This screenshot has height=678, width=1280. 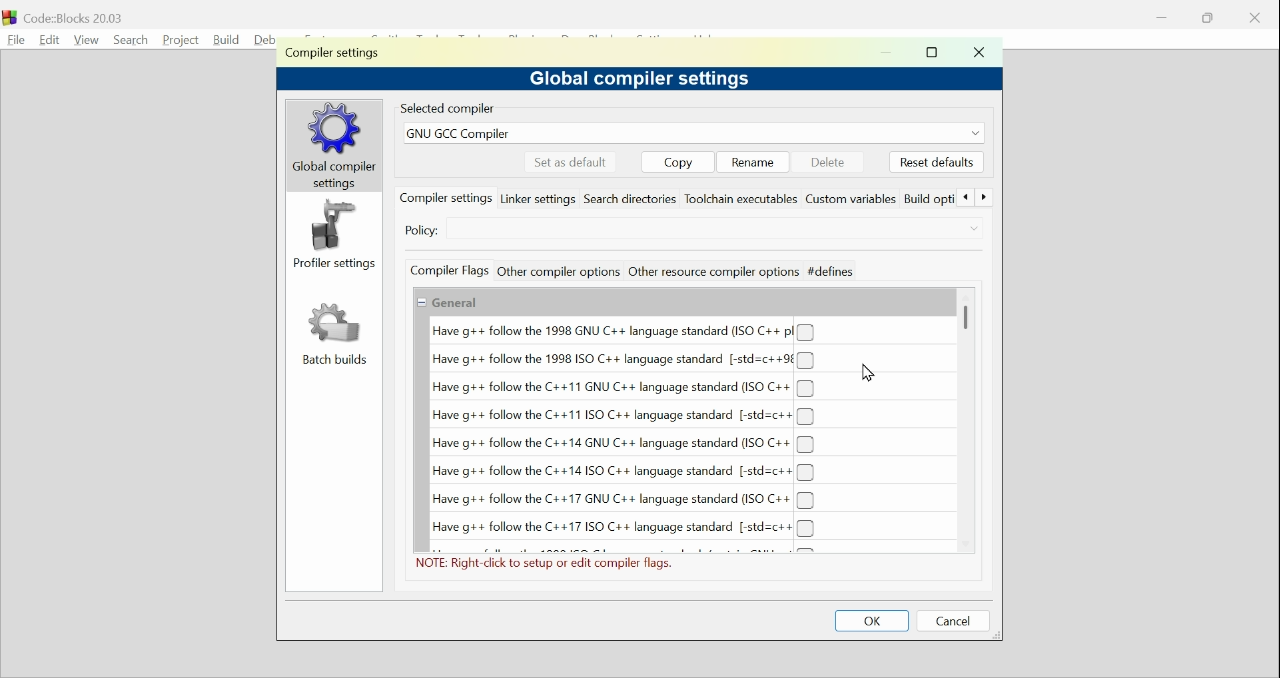 What do you see at coordinates (621, 526) in the screenshot?
I see `(un)check Have g++follow the C++17 GNU C++ language standard (-std-c++` at bounding box center [621, 526].